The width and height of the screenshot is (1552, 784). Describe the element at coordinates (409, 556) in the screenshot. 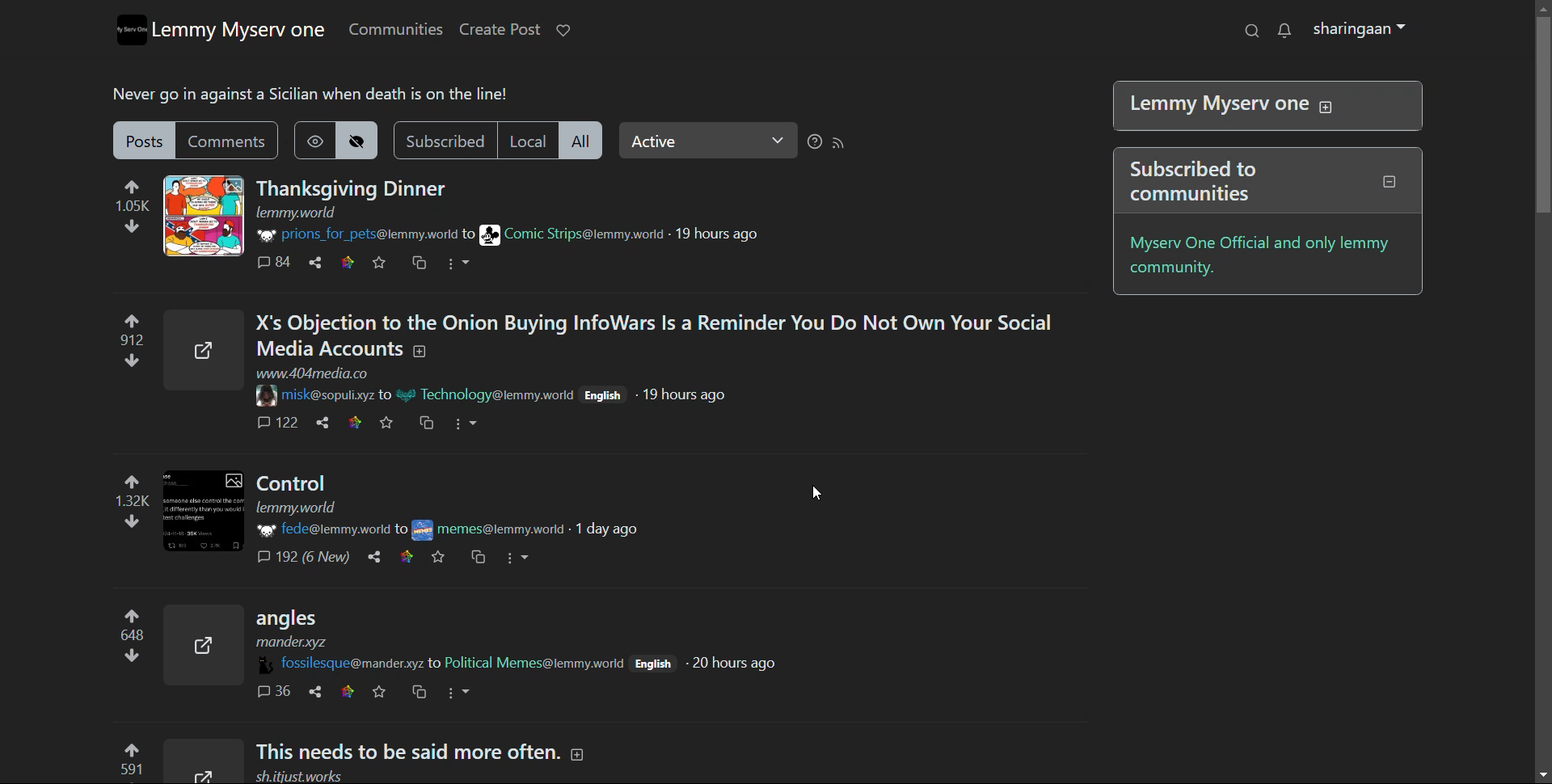

I see `link` at that location.